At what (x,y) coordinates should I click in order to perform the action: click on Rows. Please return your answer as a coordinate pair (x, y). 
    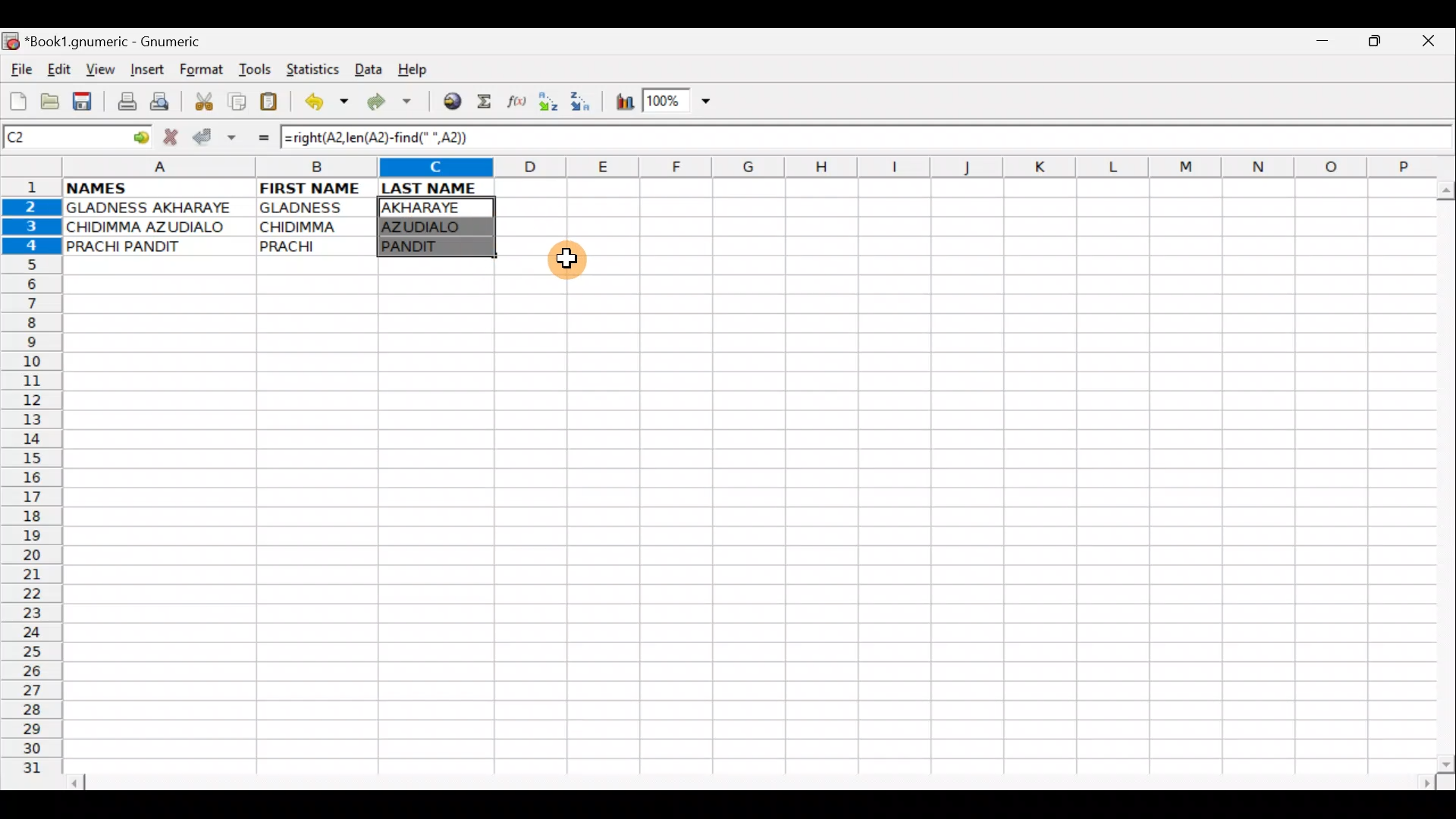
    Looking at the image, I should click on (32, 482).